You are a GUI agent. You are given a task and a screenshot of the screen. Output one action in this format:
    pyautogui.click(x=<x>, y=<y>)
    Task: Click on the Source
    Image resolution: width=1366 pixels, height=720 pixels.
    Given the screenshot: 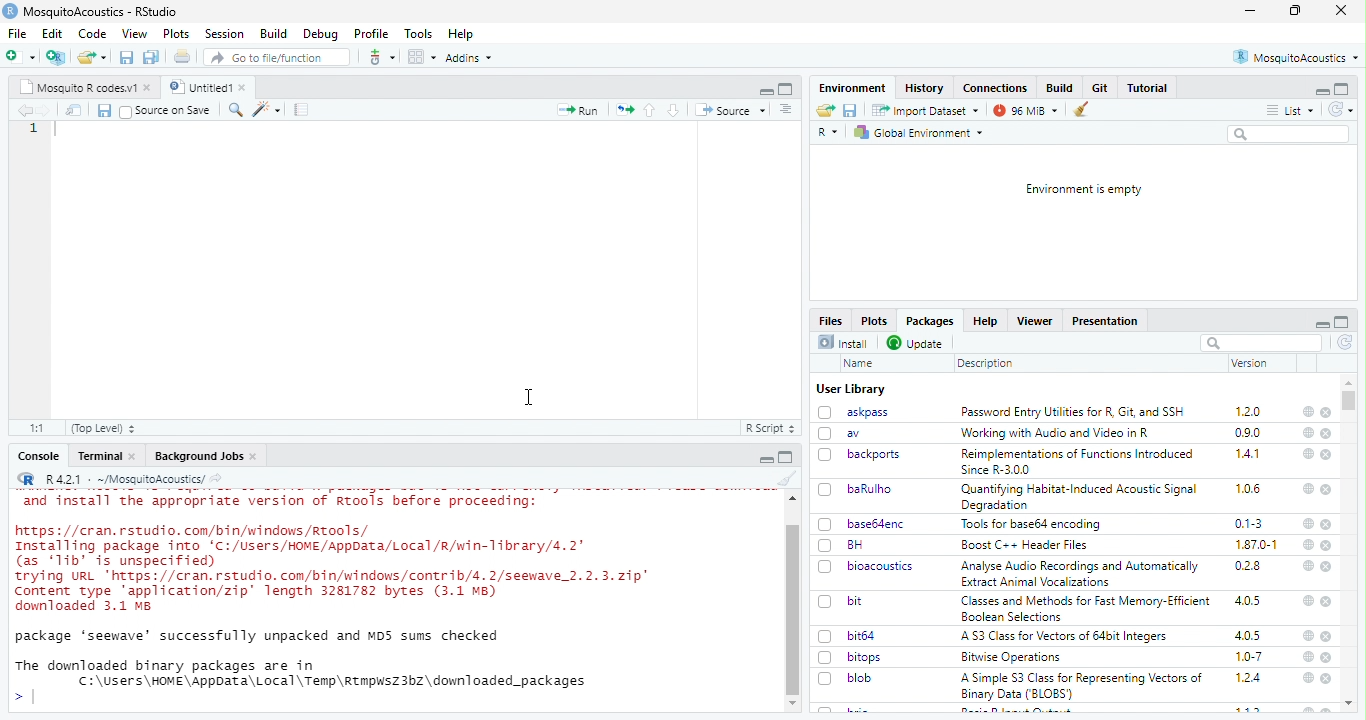 What is the action you would take?
    pyautogui.click(x=731, y=111)
    